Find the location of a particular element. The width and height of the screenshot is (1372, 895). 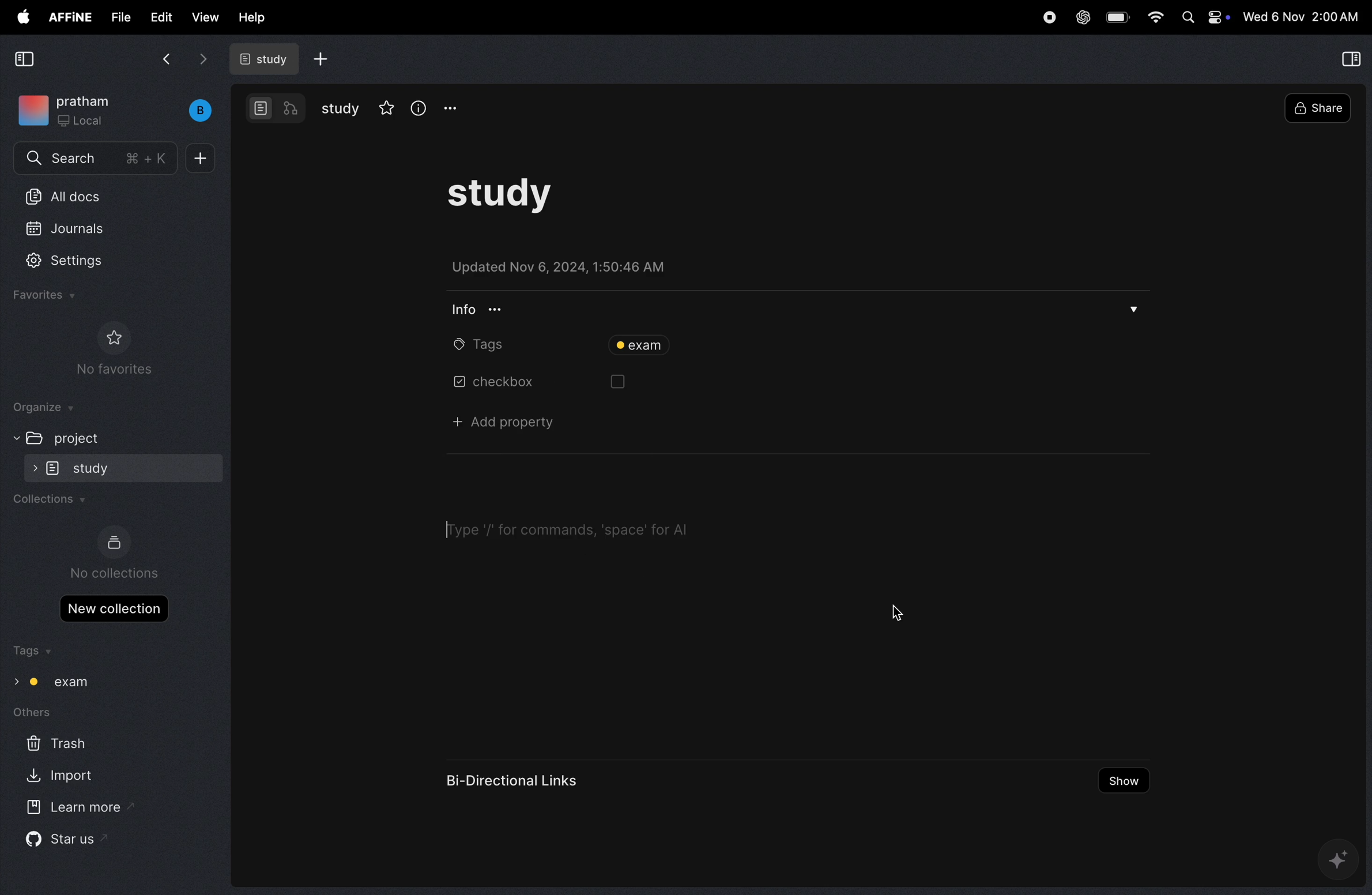

project is located at coordinates (77, 436).